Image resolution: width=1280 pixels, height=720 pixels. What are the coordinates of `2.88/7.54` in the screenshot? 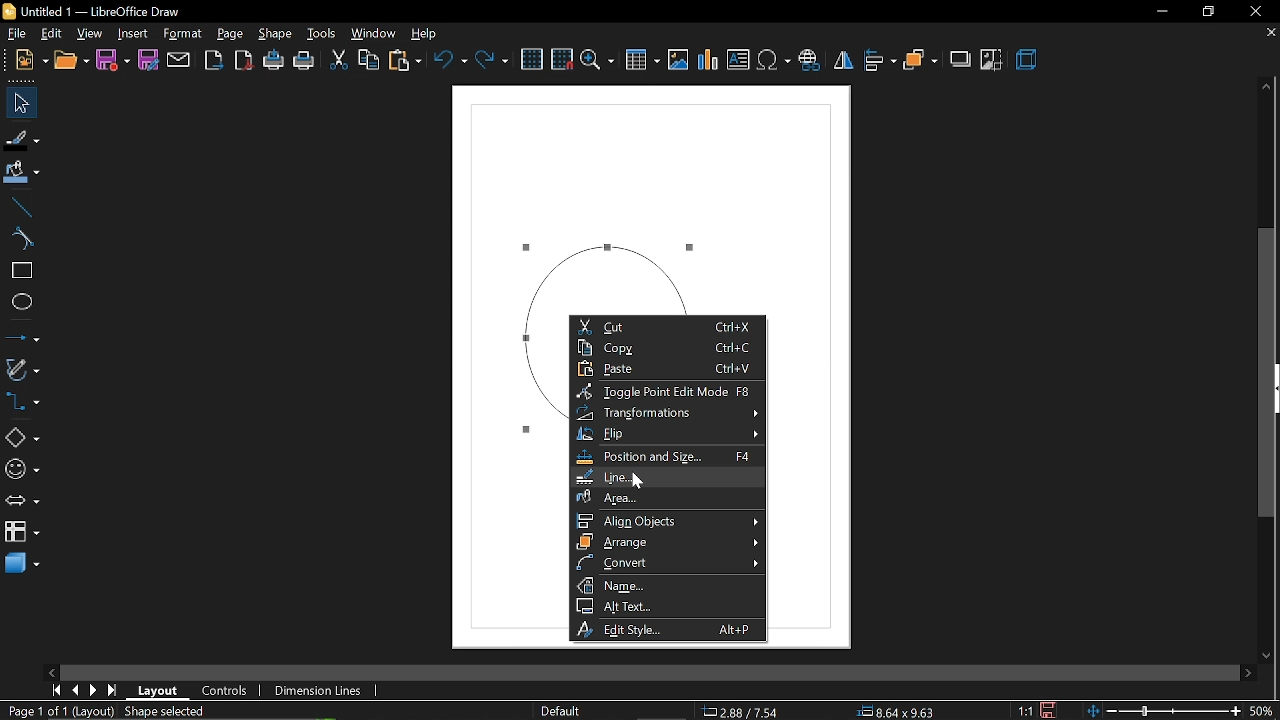 It's located at (742, 710).